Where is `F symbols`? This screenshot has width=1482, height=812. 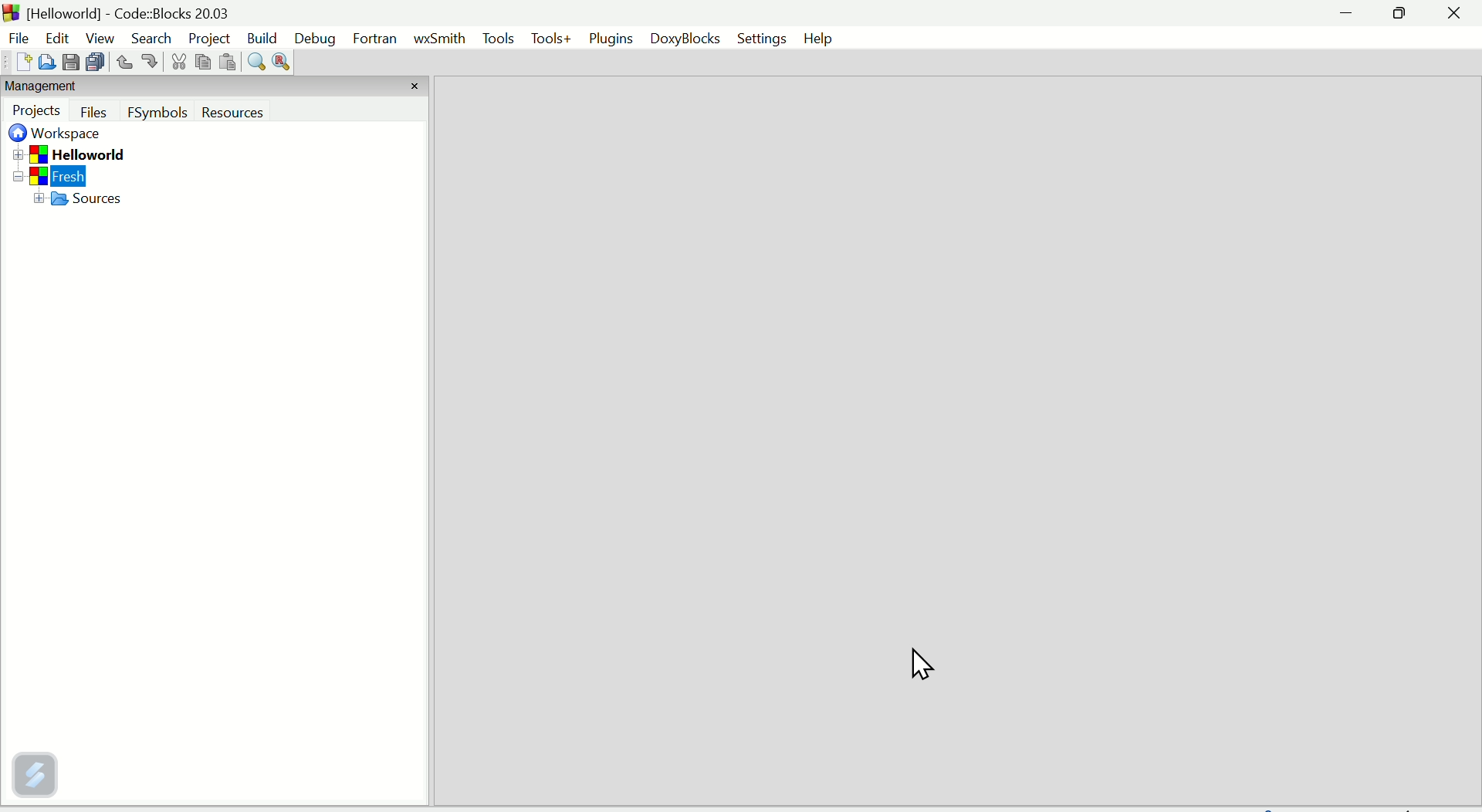 F symbols is located at coordinates (158, 116).